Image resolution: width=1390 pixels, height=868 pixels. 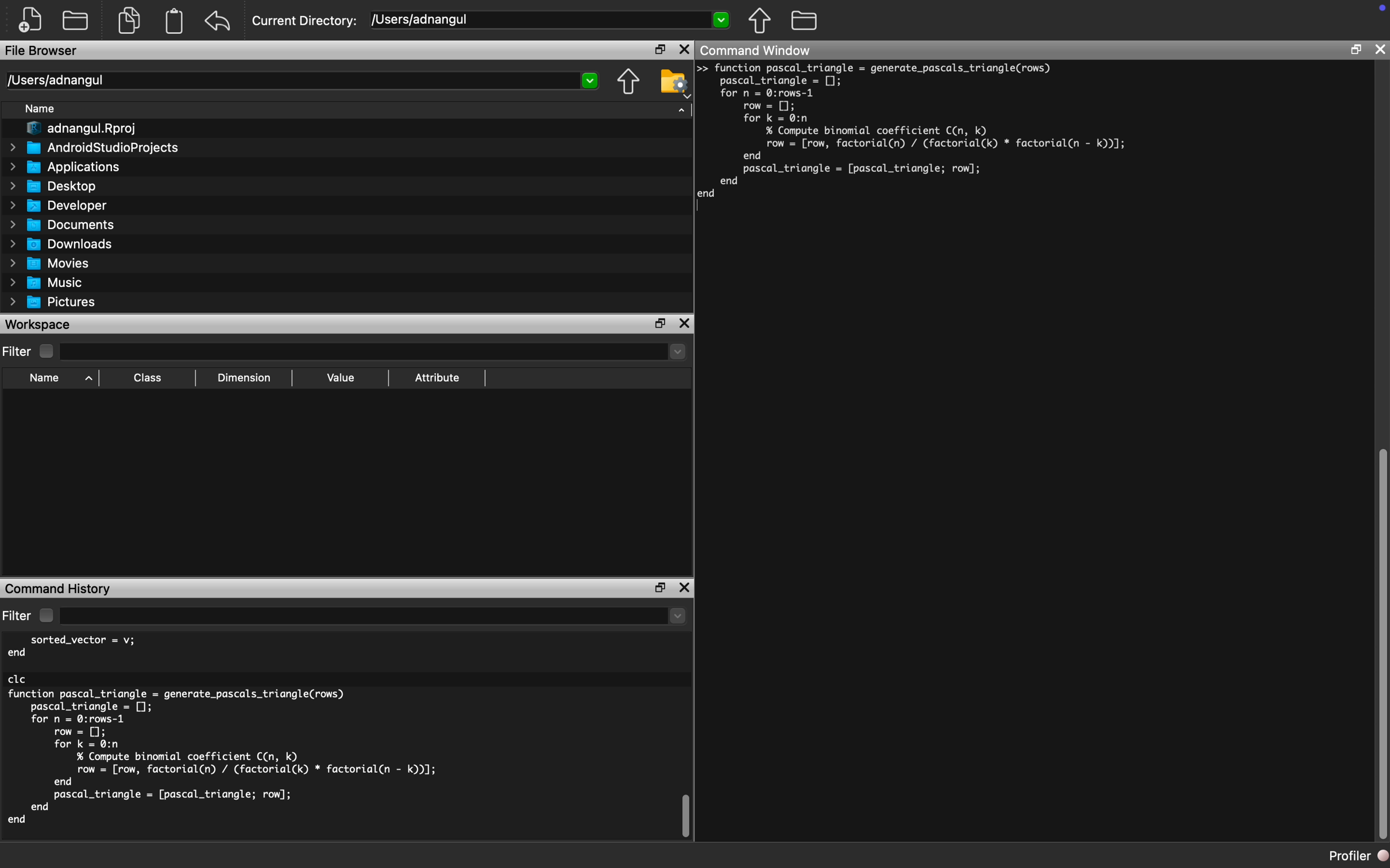 What do you see at coordinates (661, 324) in the screenshot?
I see `Restore Down` at bounding box center [661, 324].